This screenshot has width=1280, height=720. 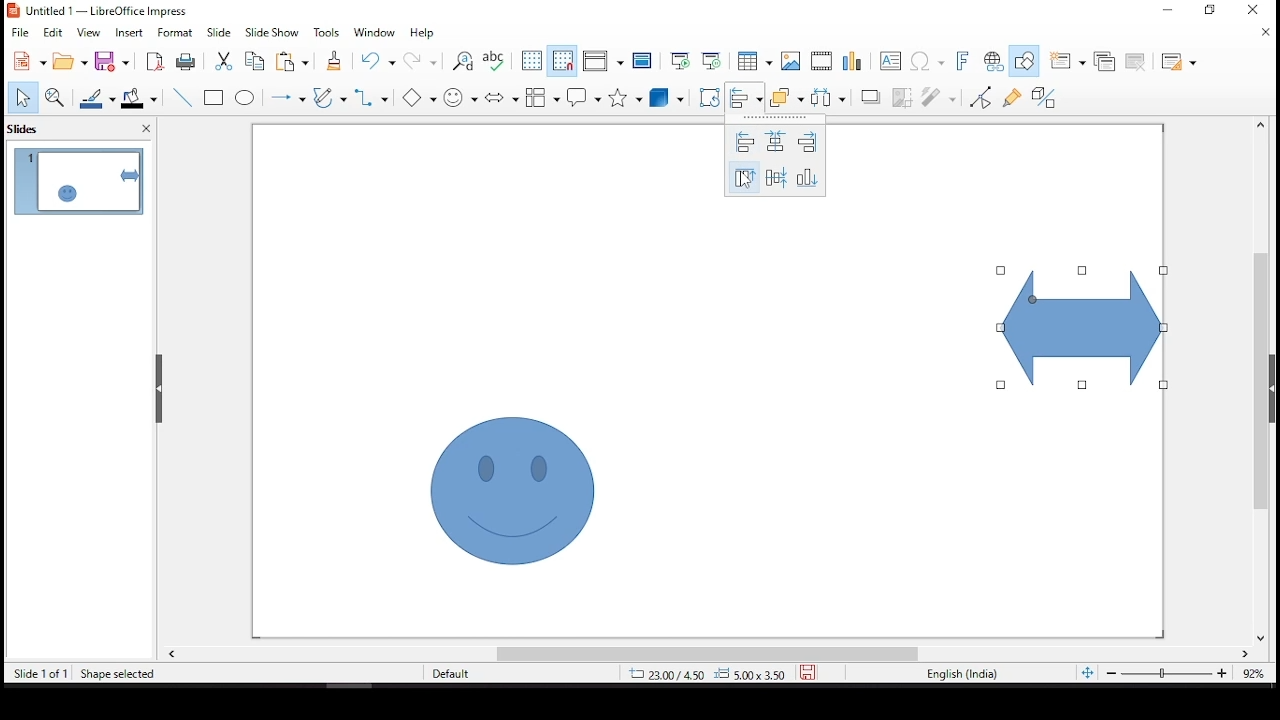 I want to click on ellipse, so click(x=245, y=98).